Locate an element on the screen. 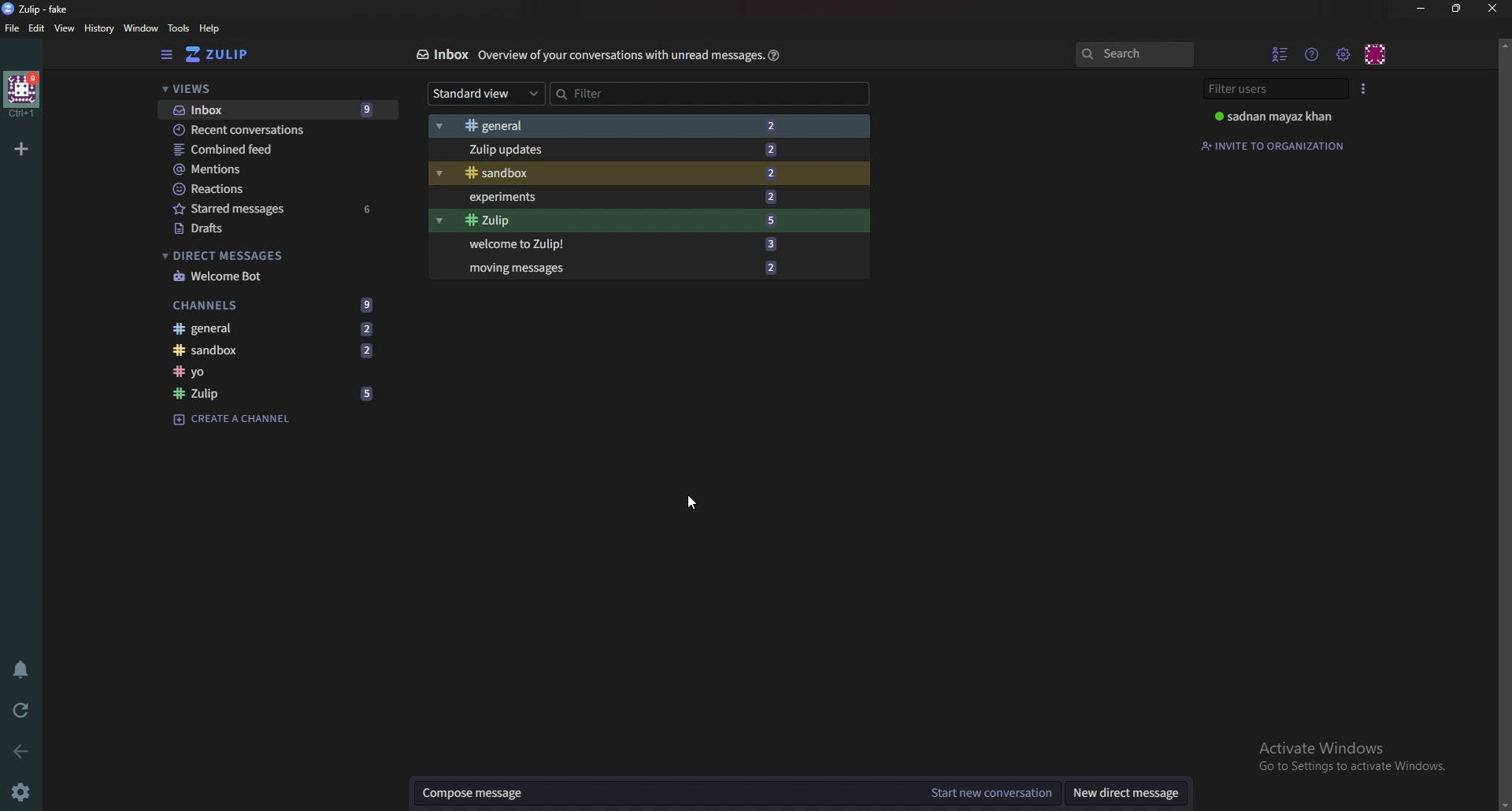 The image size is (1512, 811). Sandbox is located at coordinates (619, 173).